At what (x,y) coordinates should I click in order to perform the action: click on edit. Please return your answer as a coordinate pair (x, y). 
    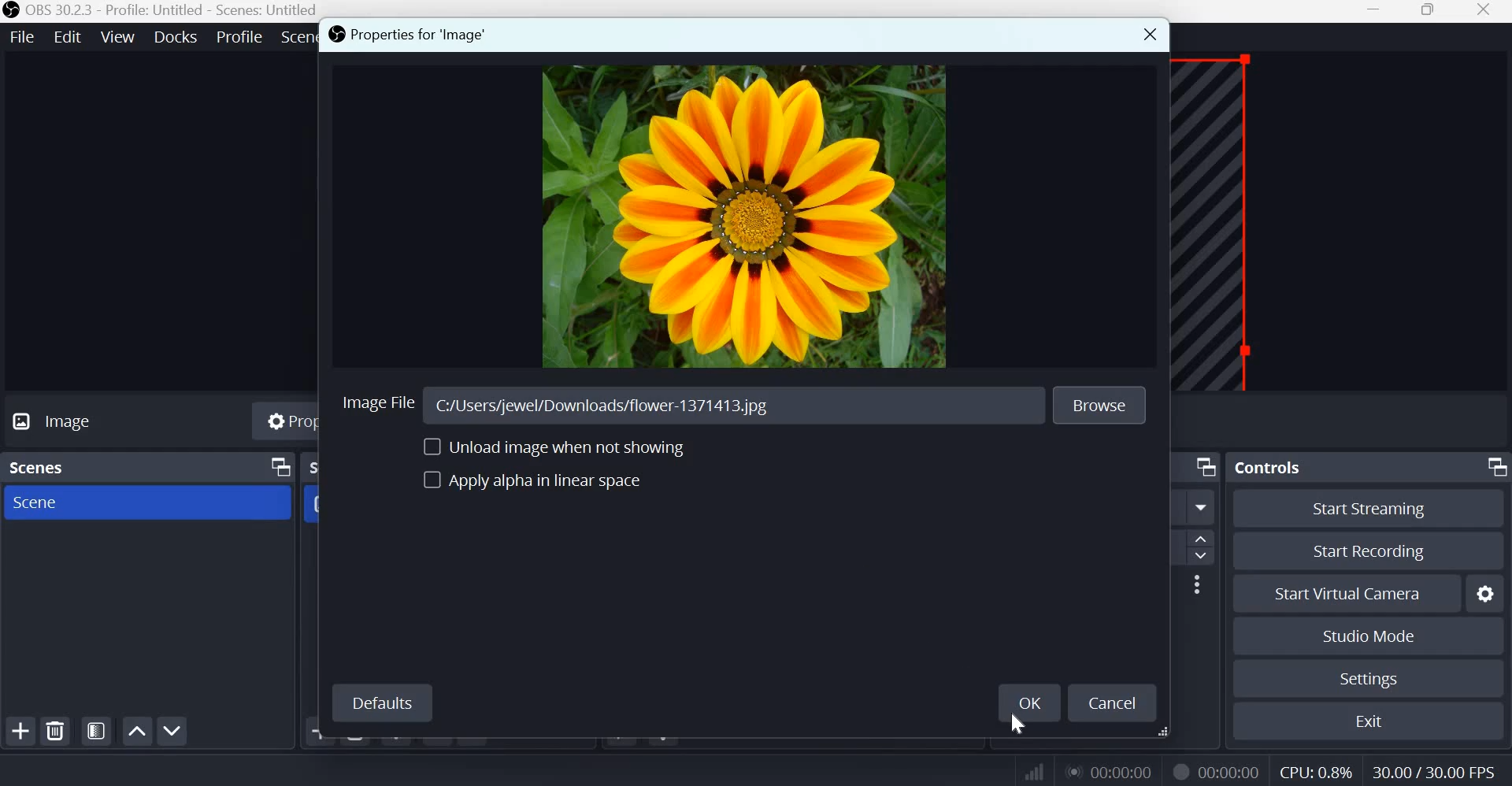
    Looking at the image, I should click on (68, 35).